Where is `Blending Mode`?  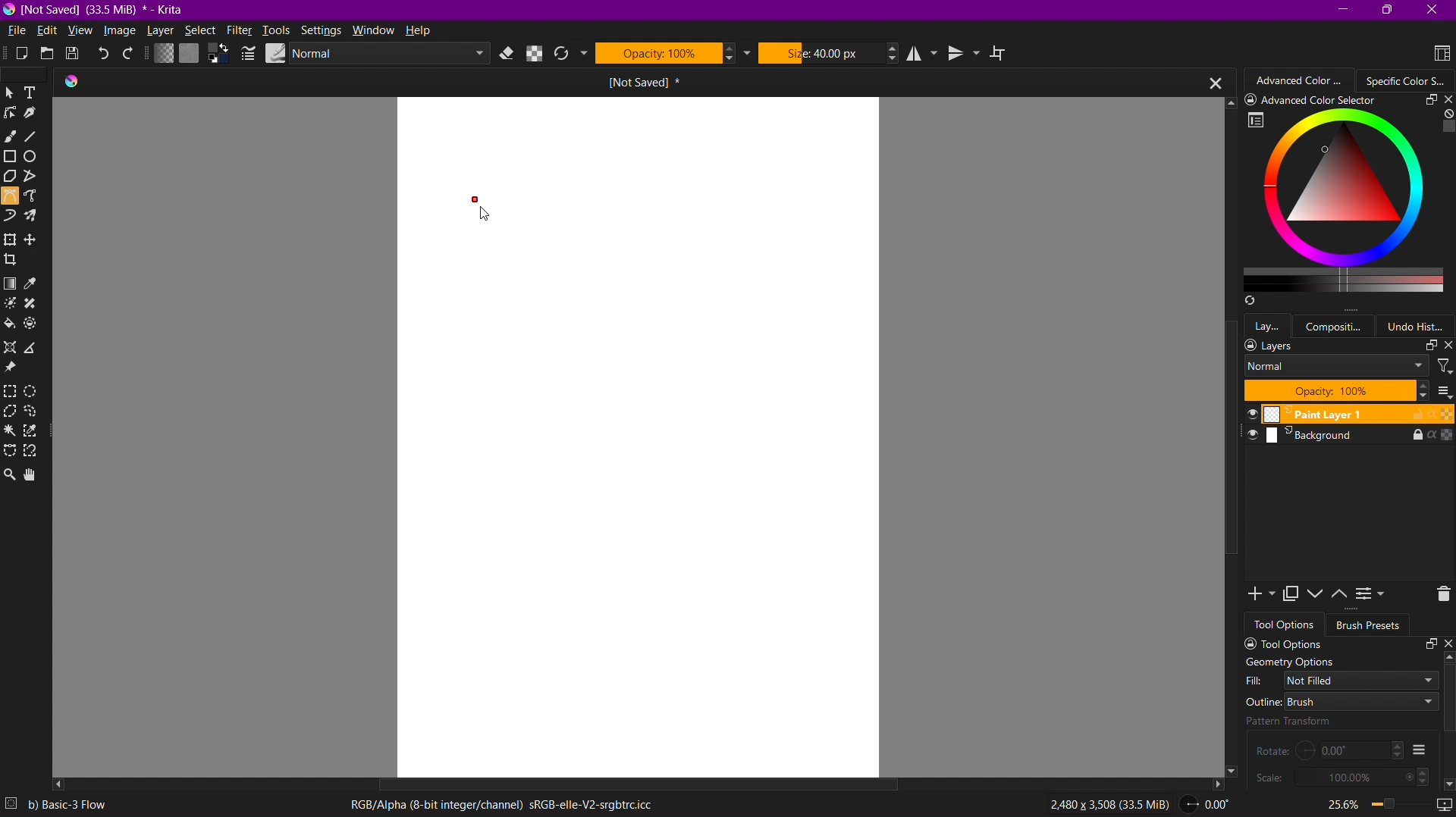 Blending Mode is located at coordinates (374, 54).